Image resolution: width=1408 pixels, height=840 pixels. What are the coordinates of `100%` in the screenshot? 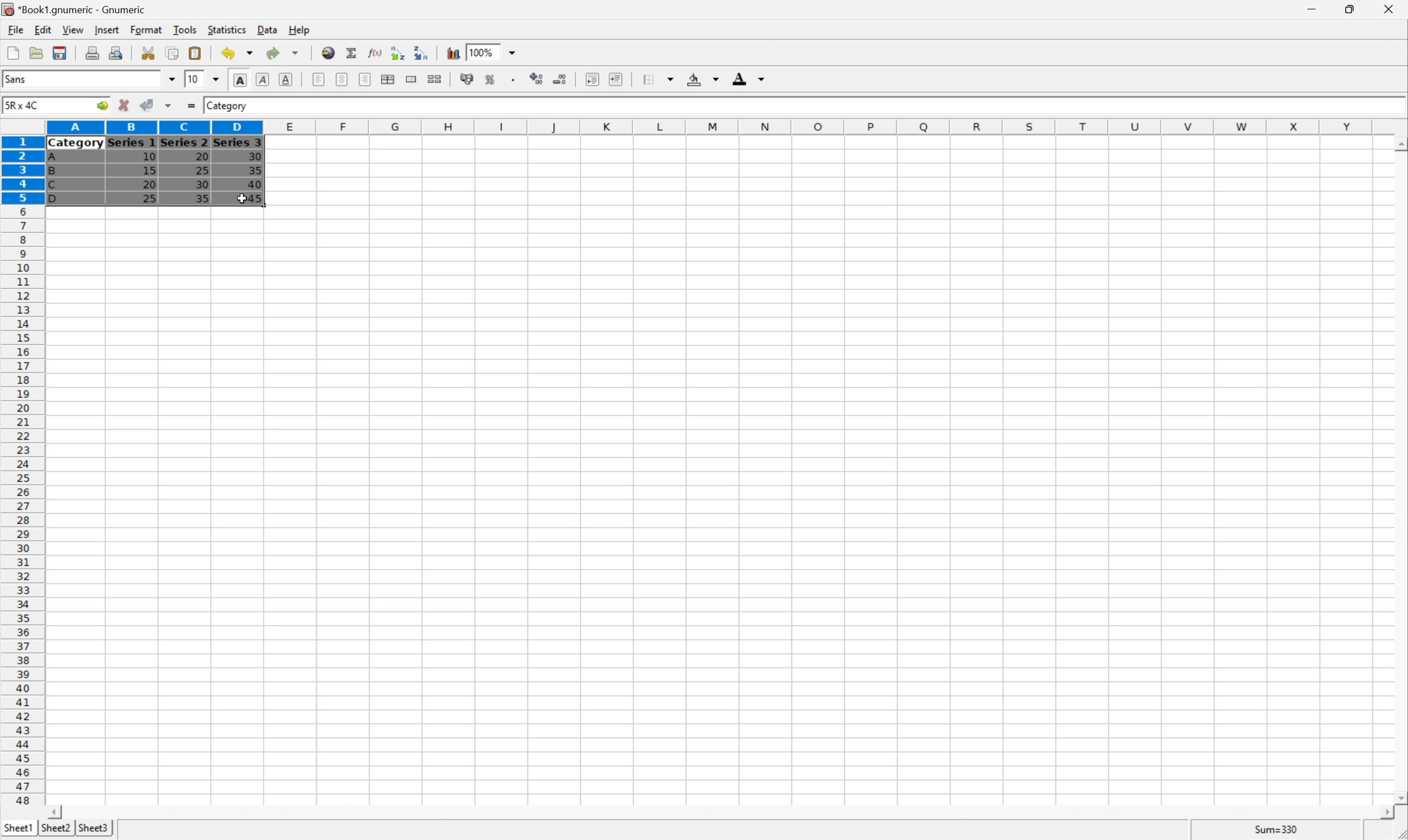 It's located at (482, 52).